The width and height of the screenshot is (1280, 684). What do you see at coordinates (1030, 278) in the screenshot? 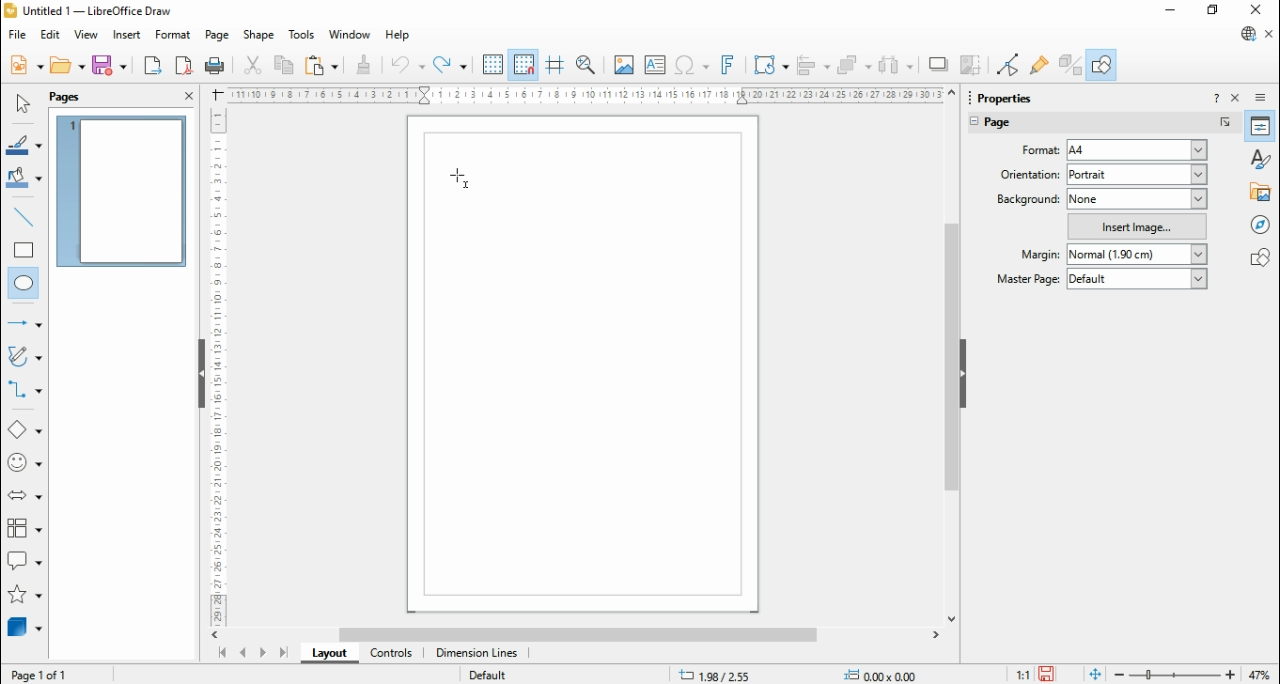
I see `master page` at bounding box center [1030, 278].